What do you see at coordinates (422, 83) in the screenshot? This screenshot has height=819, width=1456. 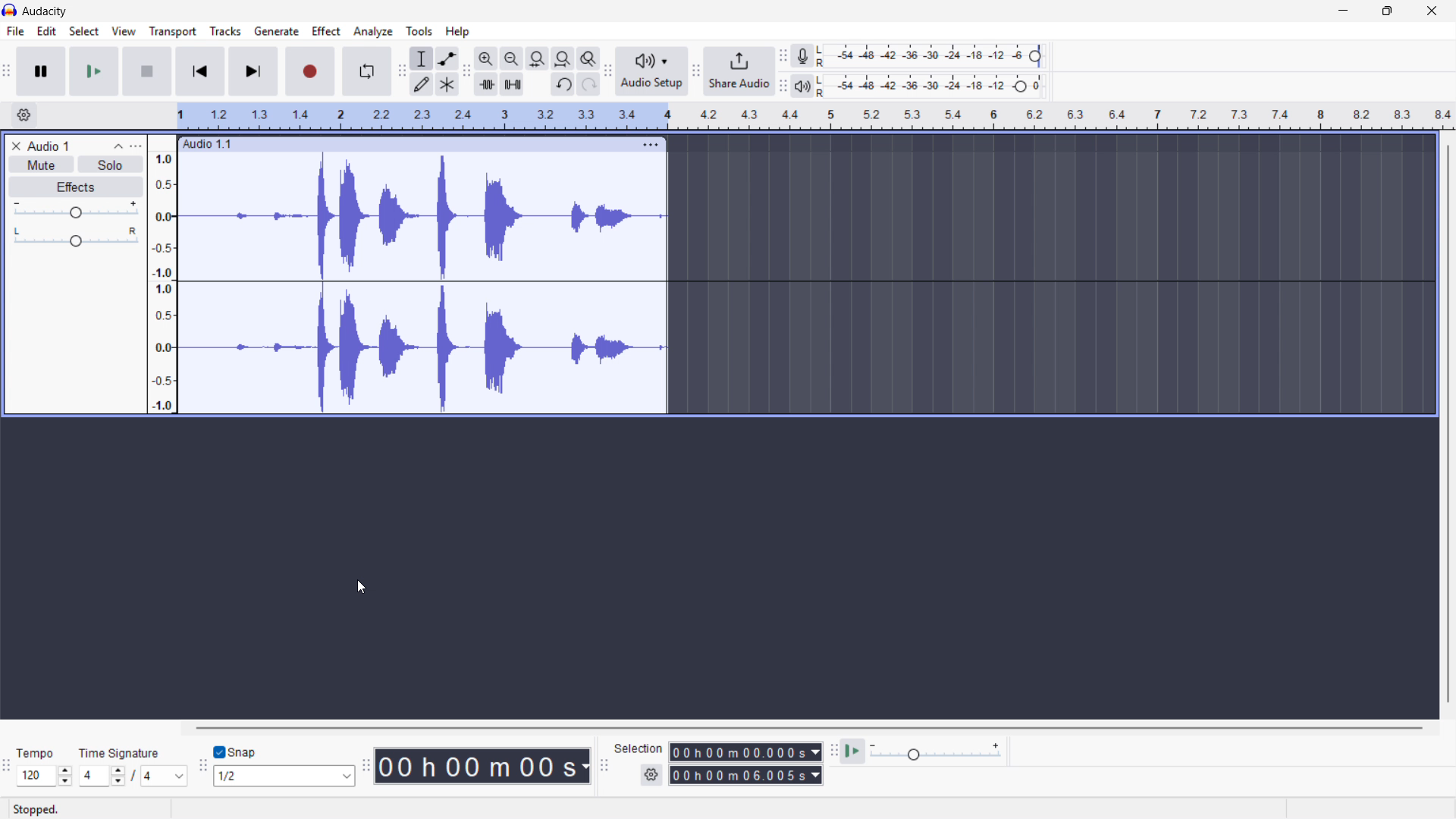 I see `Draw tool` at bounding box center [422, 83].